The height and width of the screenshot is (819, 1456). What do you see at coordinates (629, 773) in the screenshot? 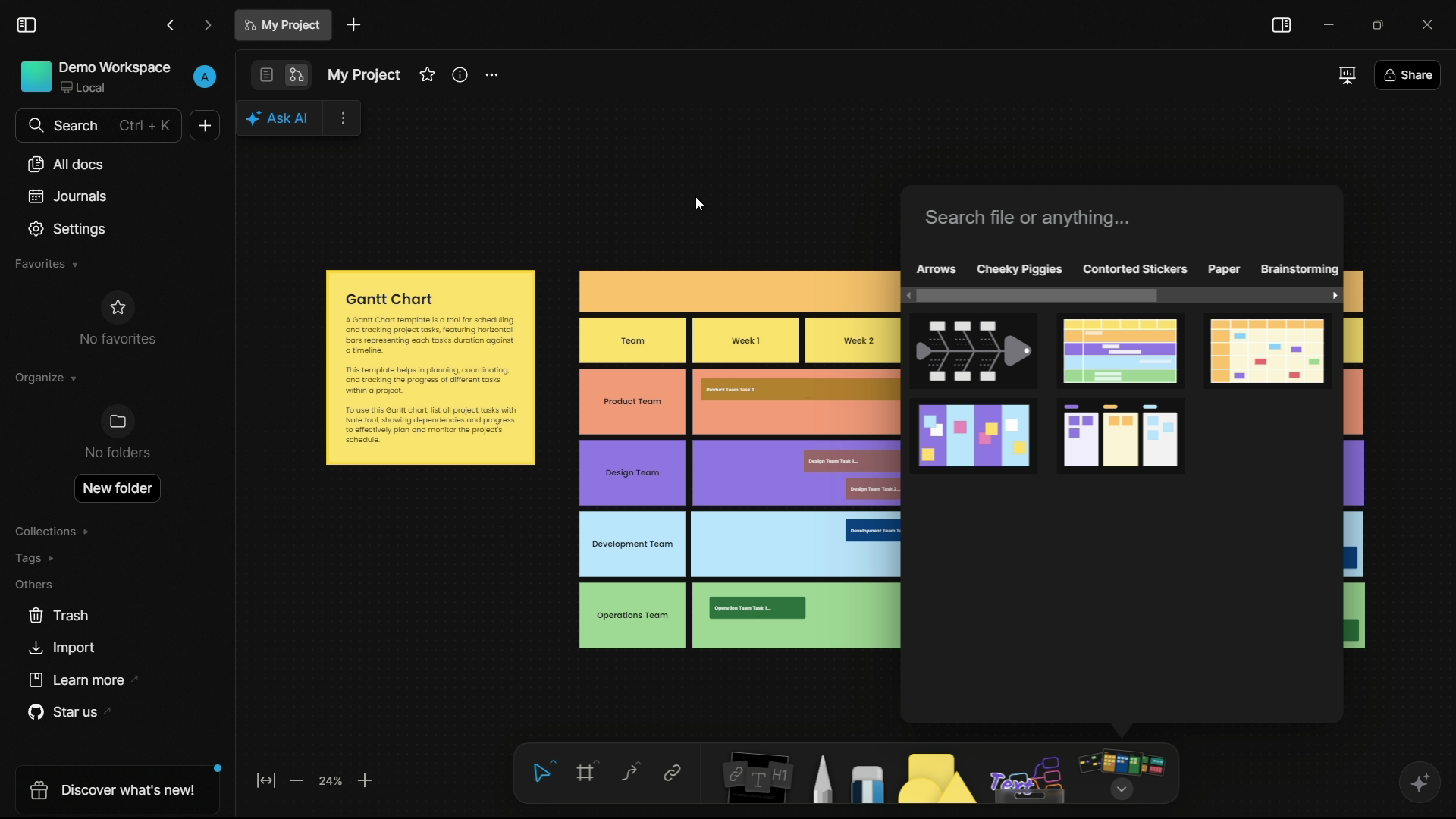
I see `connector` at bounding box center [629, 773].